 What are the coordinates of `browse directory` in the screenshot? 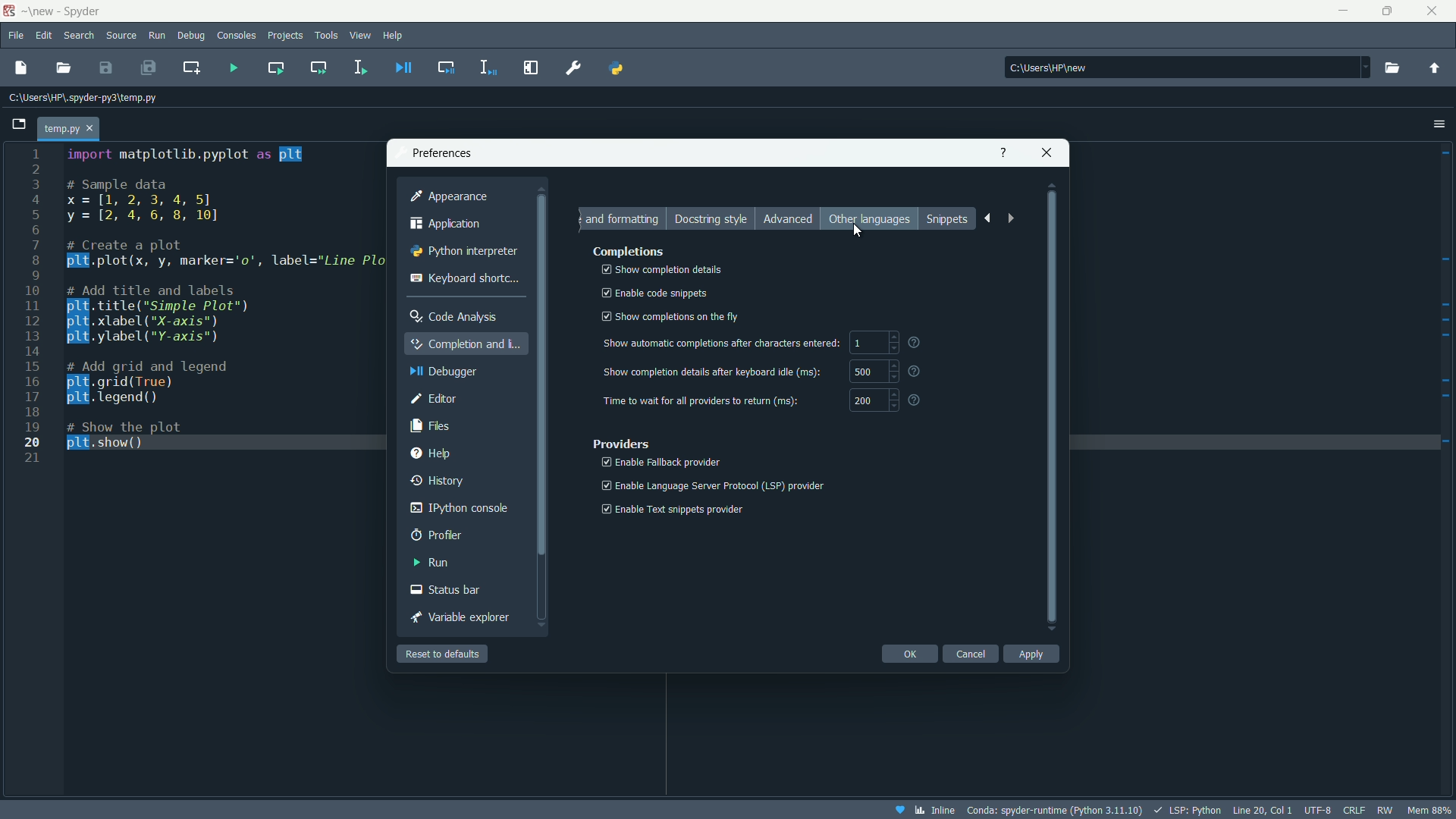 It's located at (1392, 67).